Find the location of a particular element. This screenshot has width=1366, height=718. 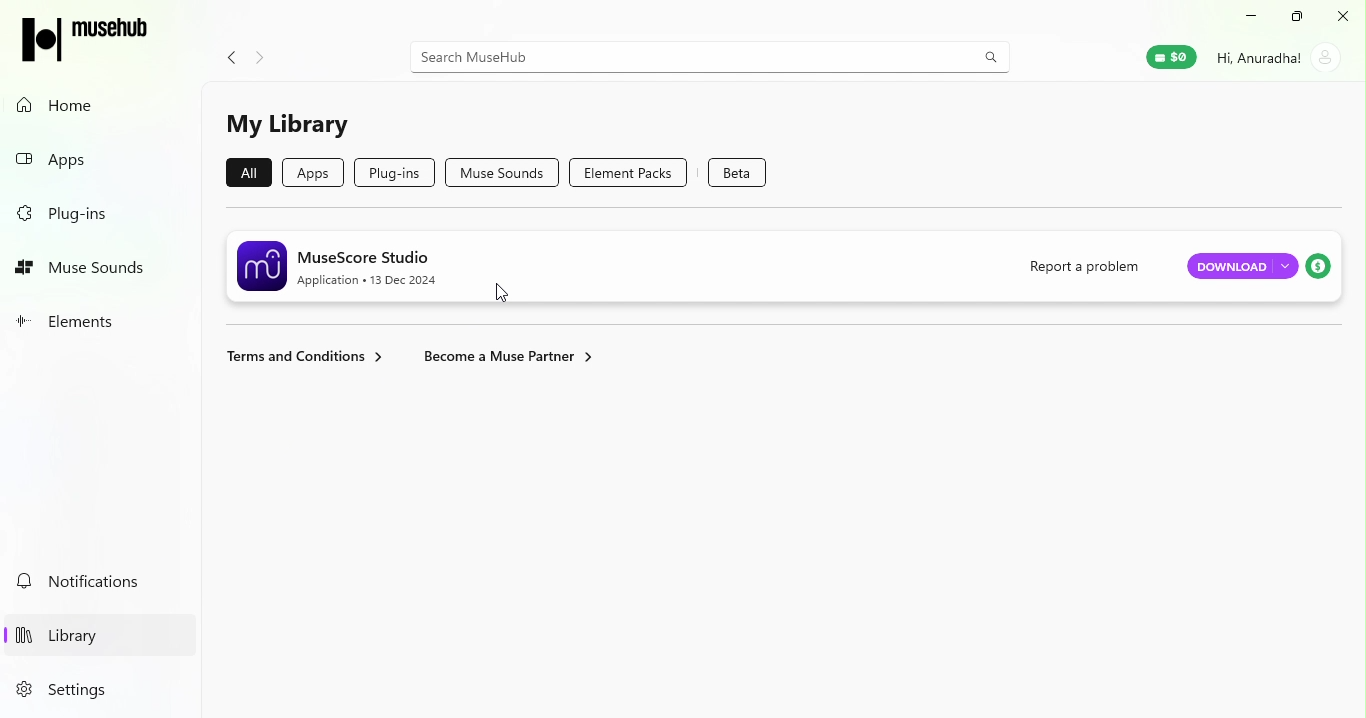

Download is located at coordinates (1229, 267).